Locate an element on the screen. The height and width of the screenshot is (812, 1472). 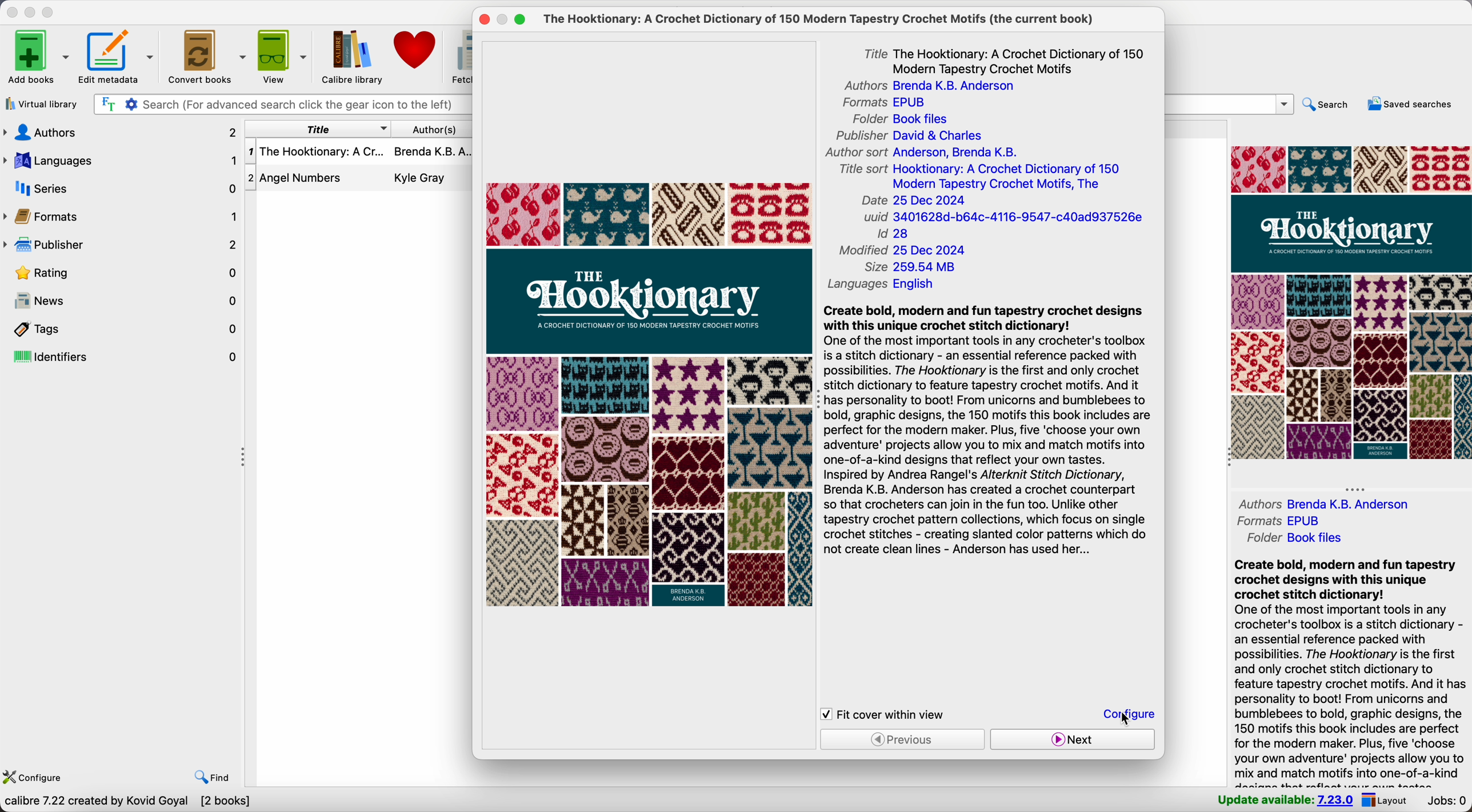
formats is located at coordinates (1277, 519).